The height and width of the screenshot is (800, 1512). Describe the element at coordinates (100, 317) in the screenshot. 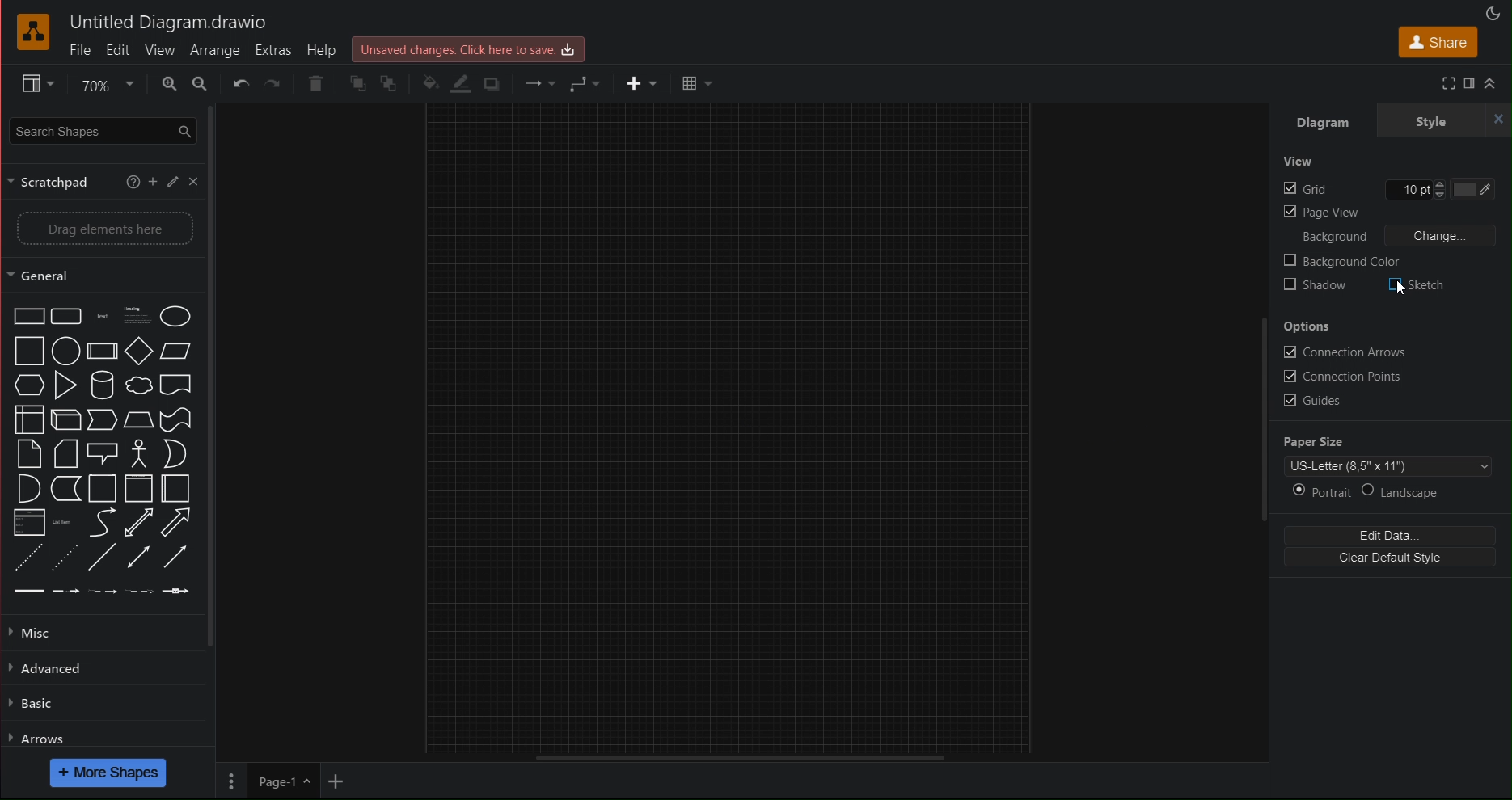

I see `text` at that location.